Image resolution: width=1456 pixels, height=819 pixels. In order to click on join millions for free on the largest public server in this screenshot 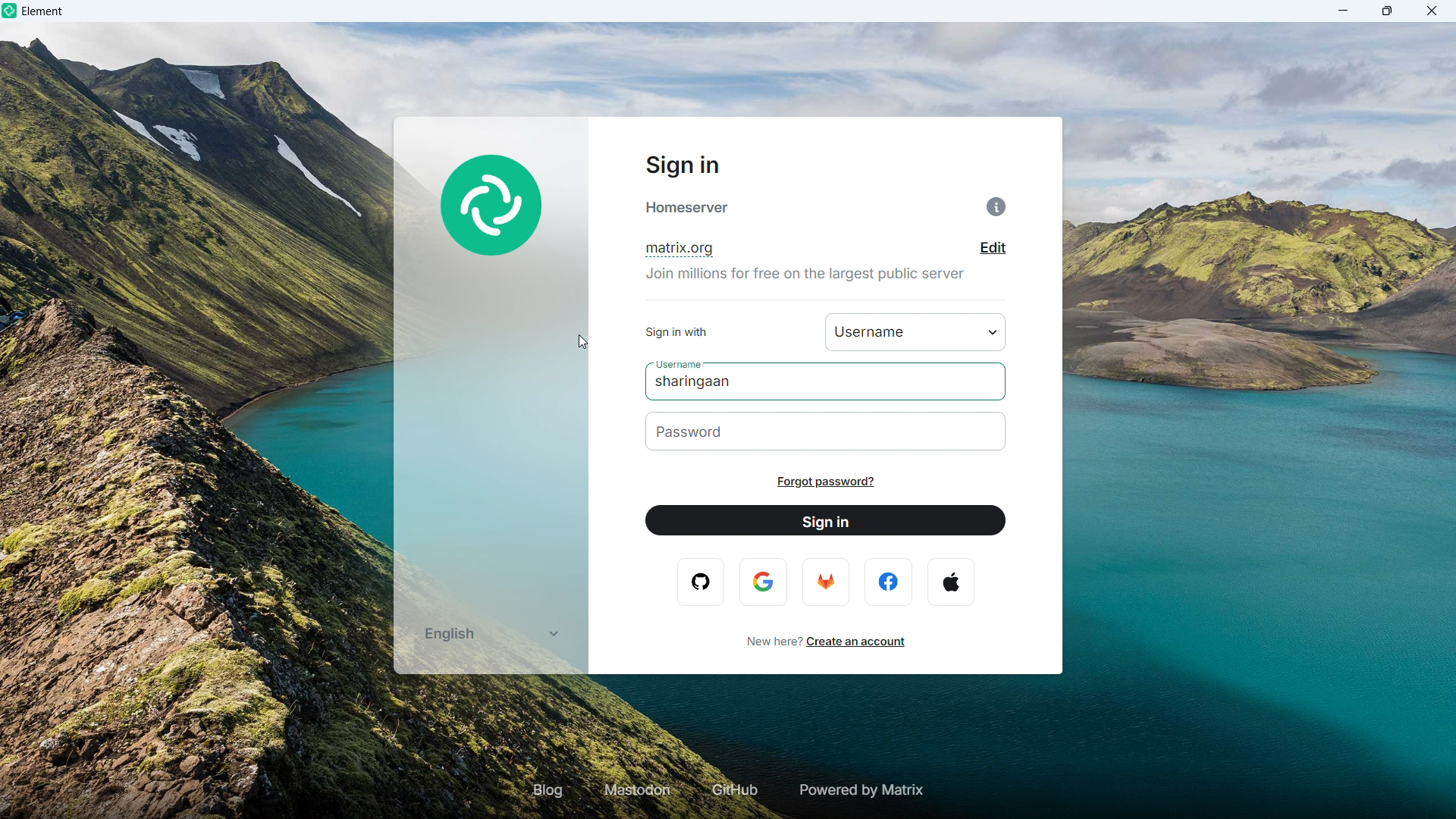, I will do `click(808, 280)`.